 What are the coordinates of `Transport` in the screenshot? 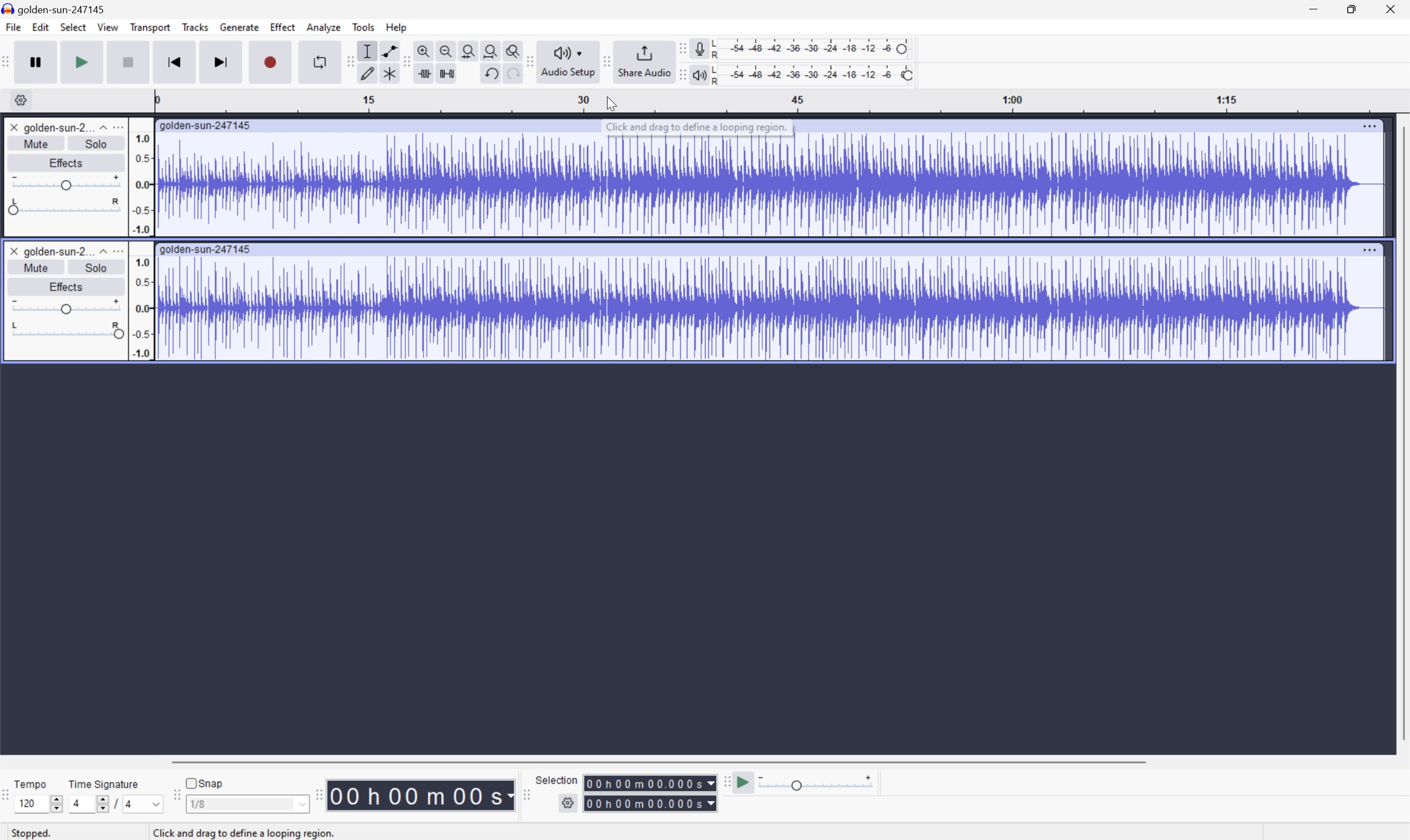 It's located at (151, 27).